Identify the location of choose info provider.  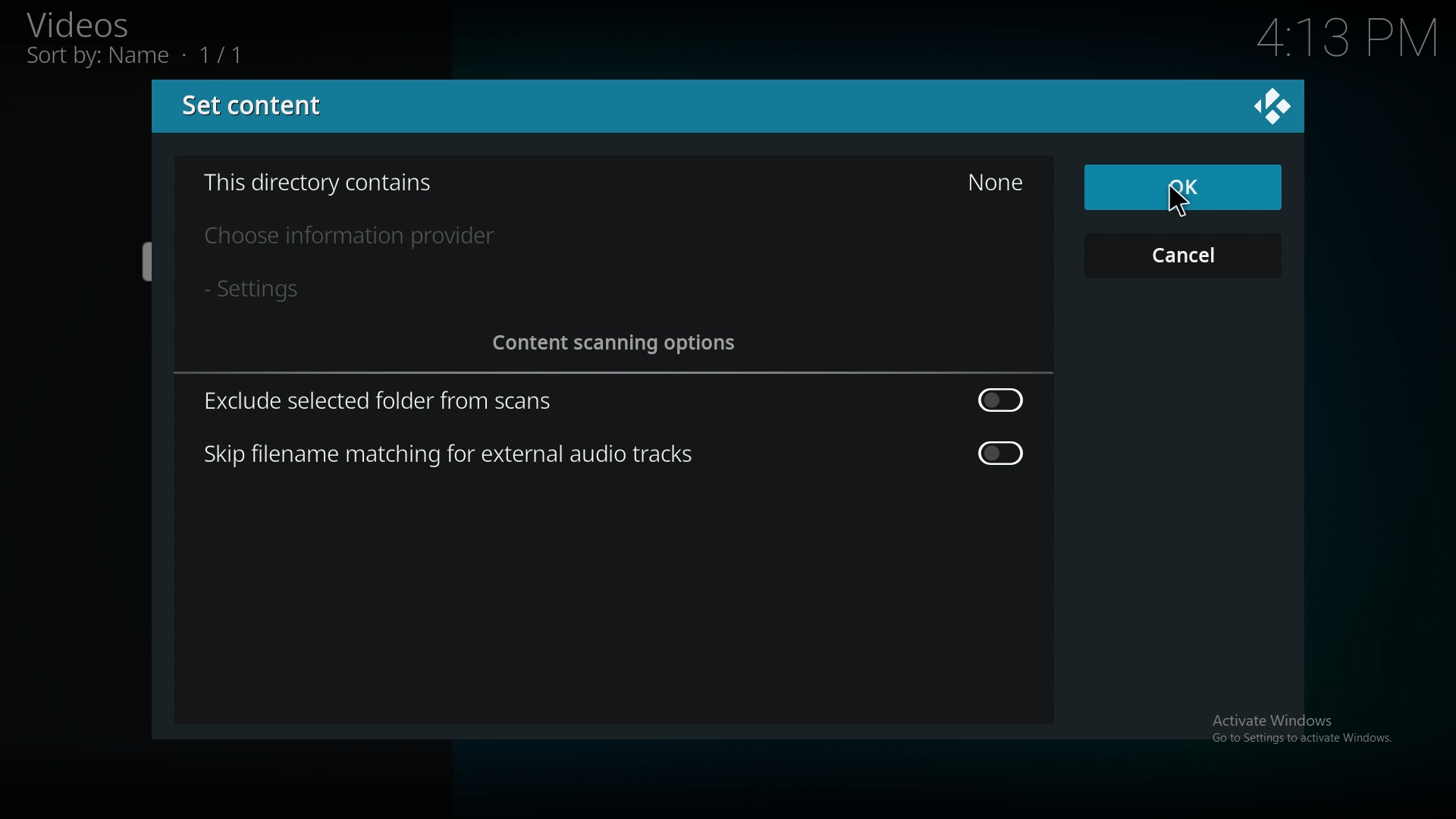
(375, 237).